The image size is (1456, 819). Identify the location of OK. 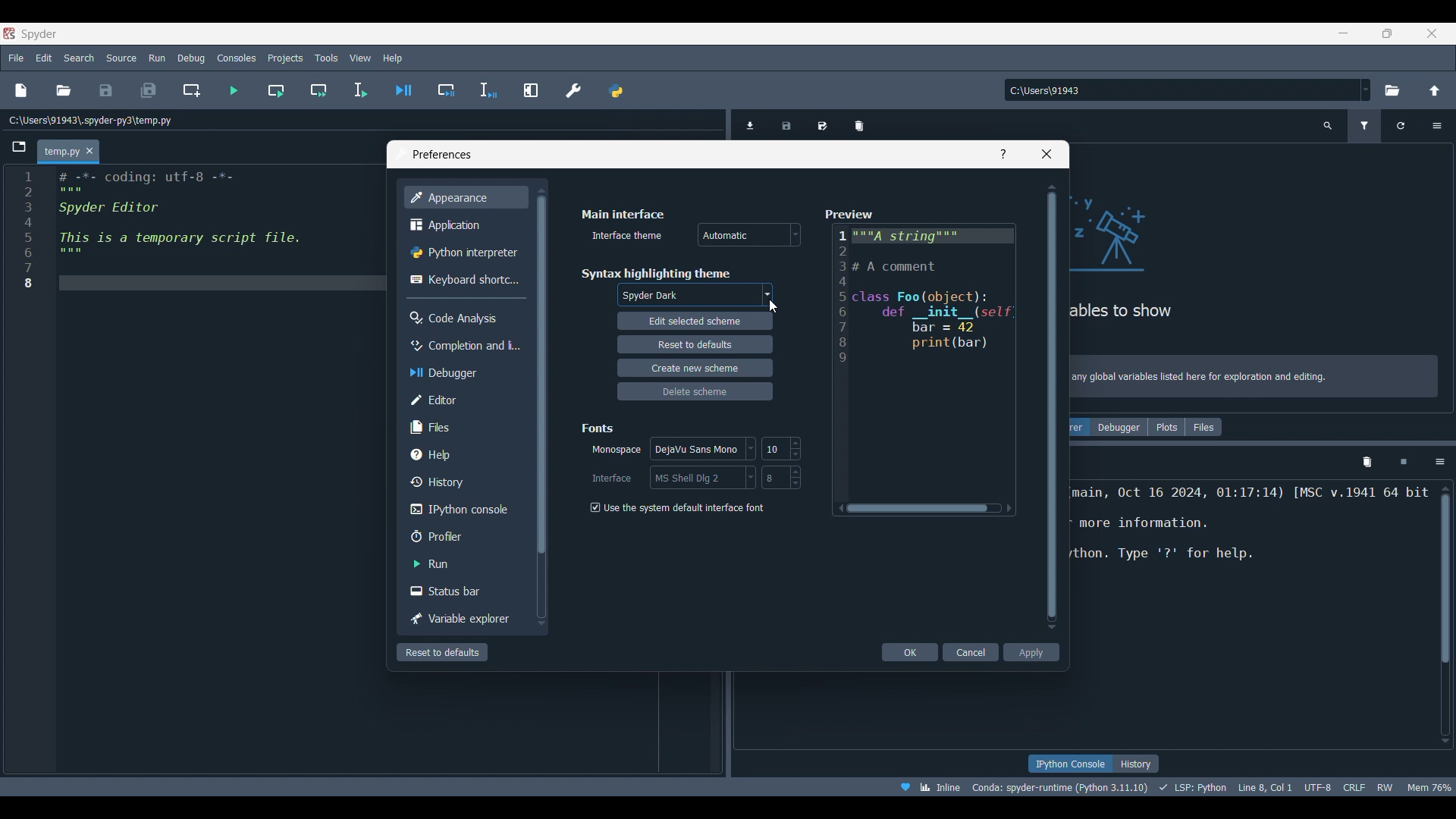
(909, 652).